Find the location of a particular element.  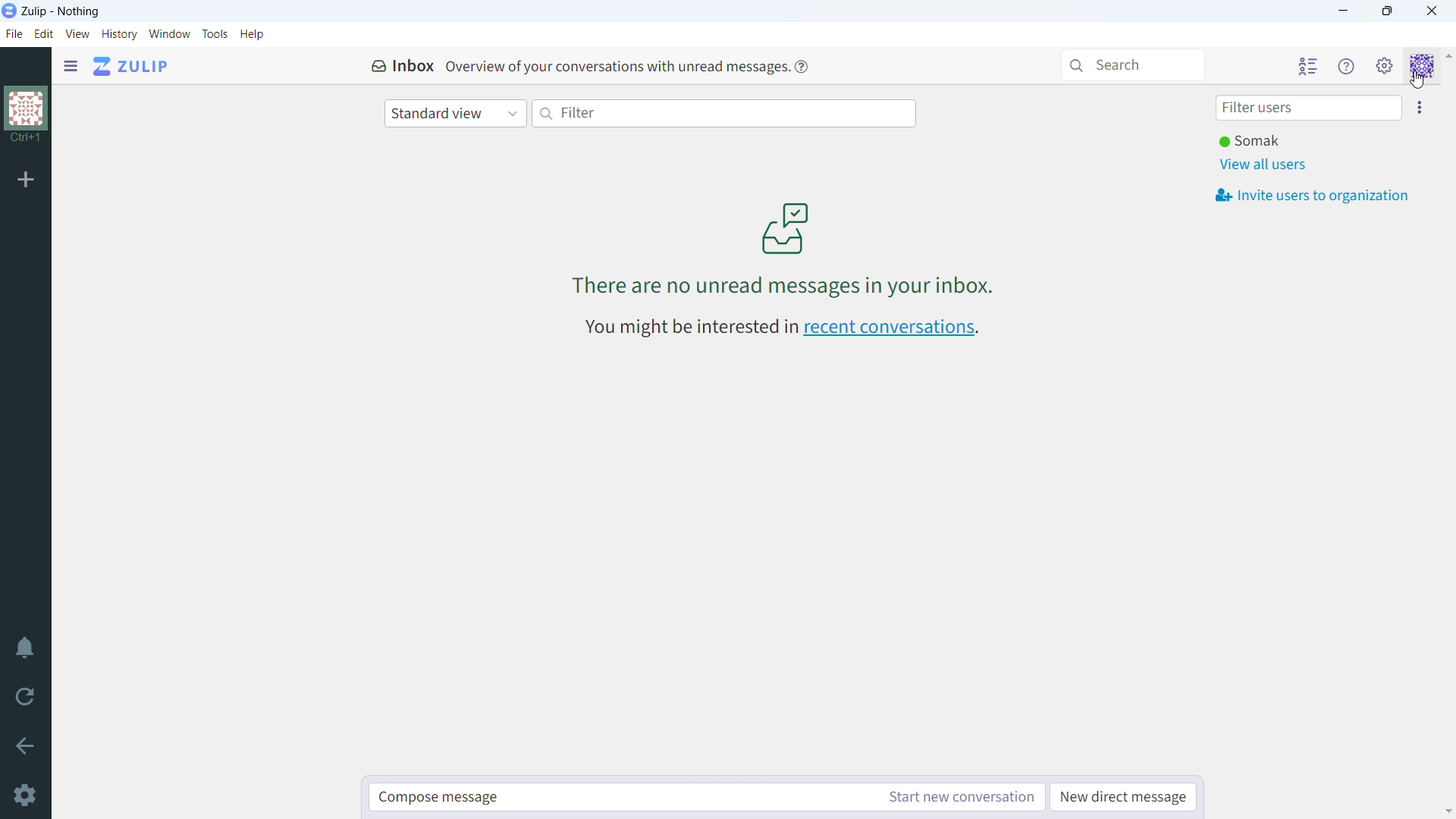

search is located at coordinates (1133, 65).